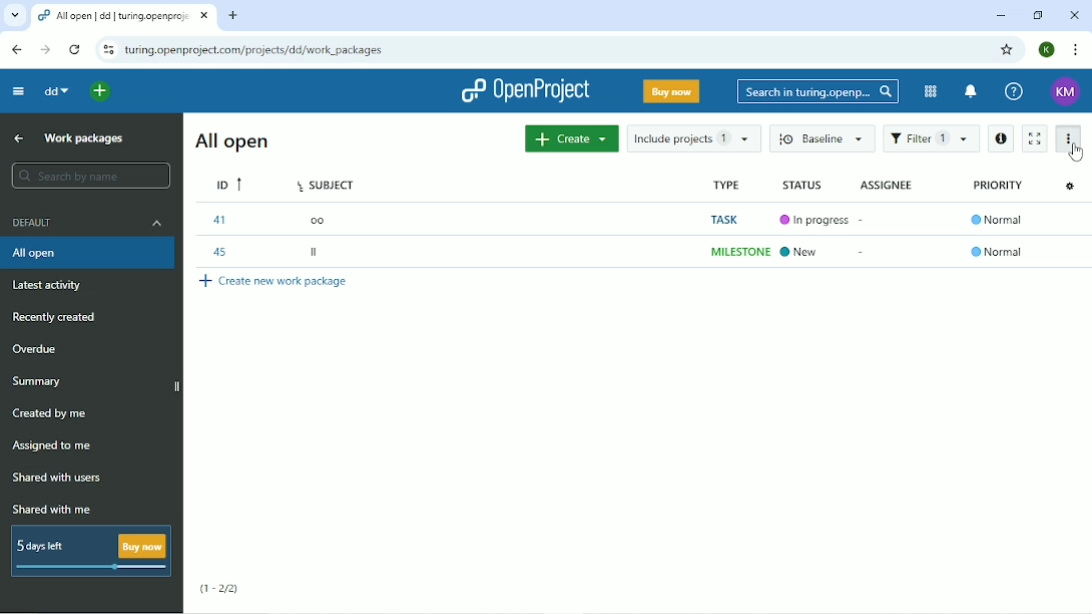  I want to click on Open details view, so click(1002, 139).